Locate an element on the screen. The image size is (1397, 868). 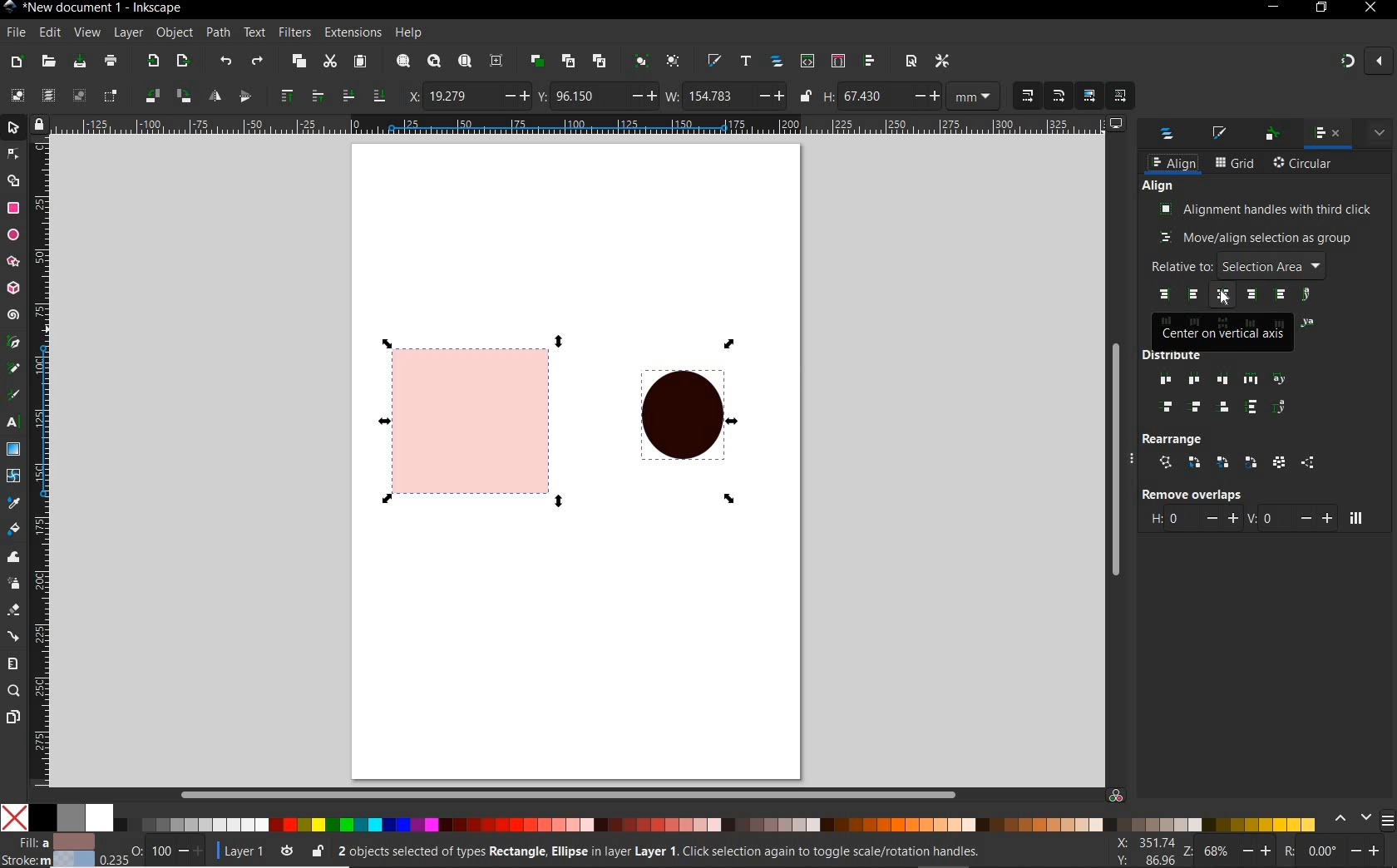
OPACITY is located at coordinates (151, 850).